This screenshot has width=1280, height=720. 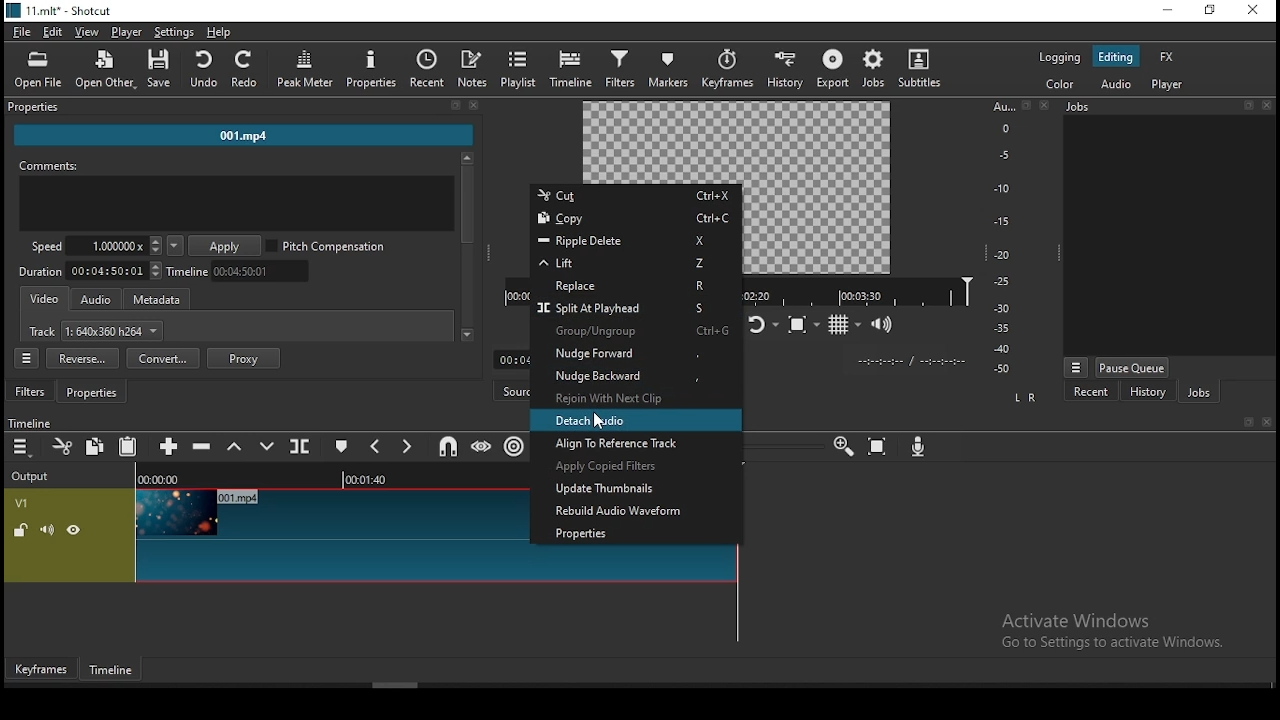 What do you see at coordinates (23, 502) in the screenshot?
I see `v1` at bounding box center [23, 502].